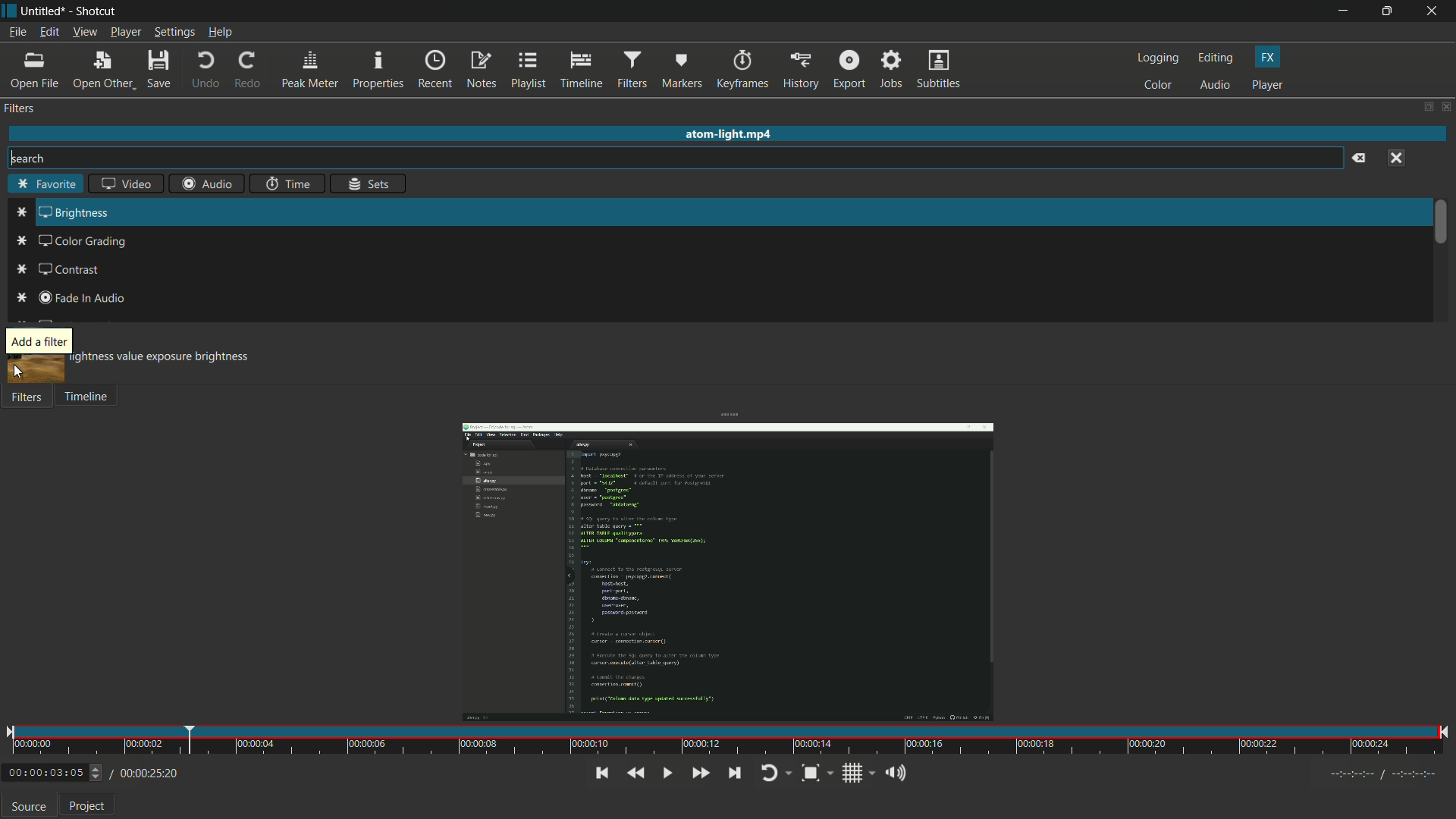  What do you see at coordinates (29, 805) in the screenshot?
I see `Source` at bounding box center [29, 805].